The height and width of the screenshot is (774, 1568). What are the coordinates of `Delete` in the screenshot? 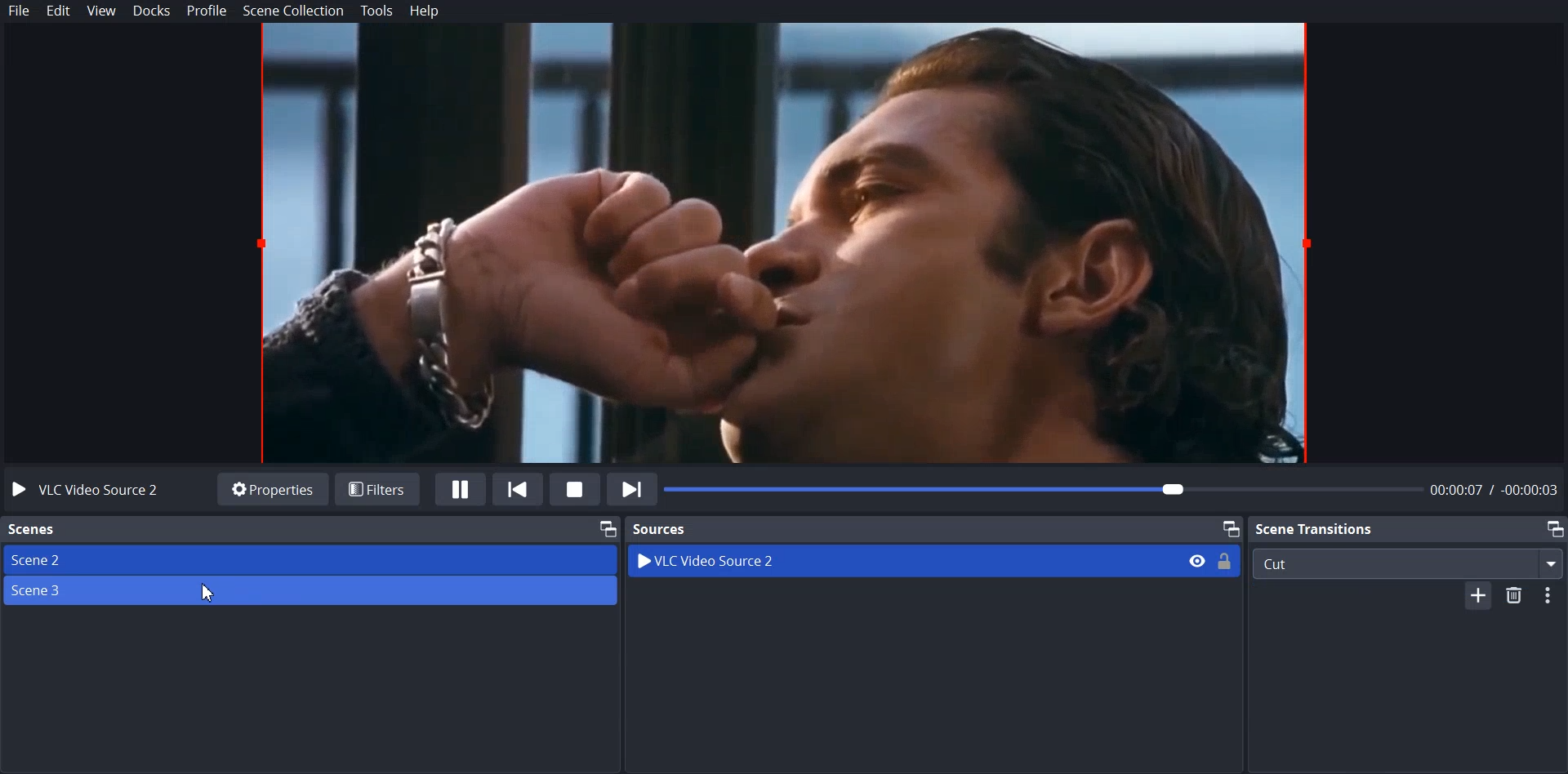 It's located at (1517, 595).